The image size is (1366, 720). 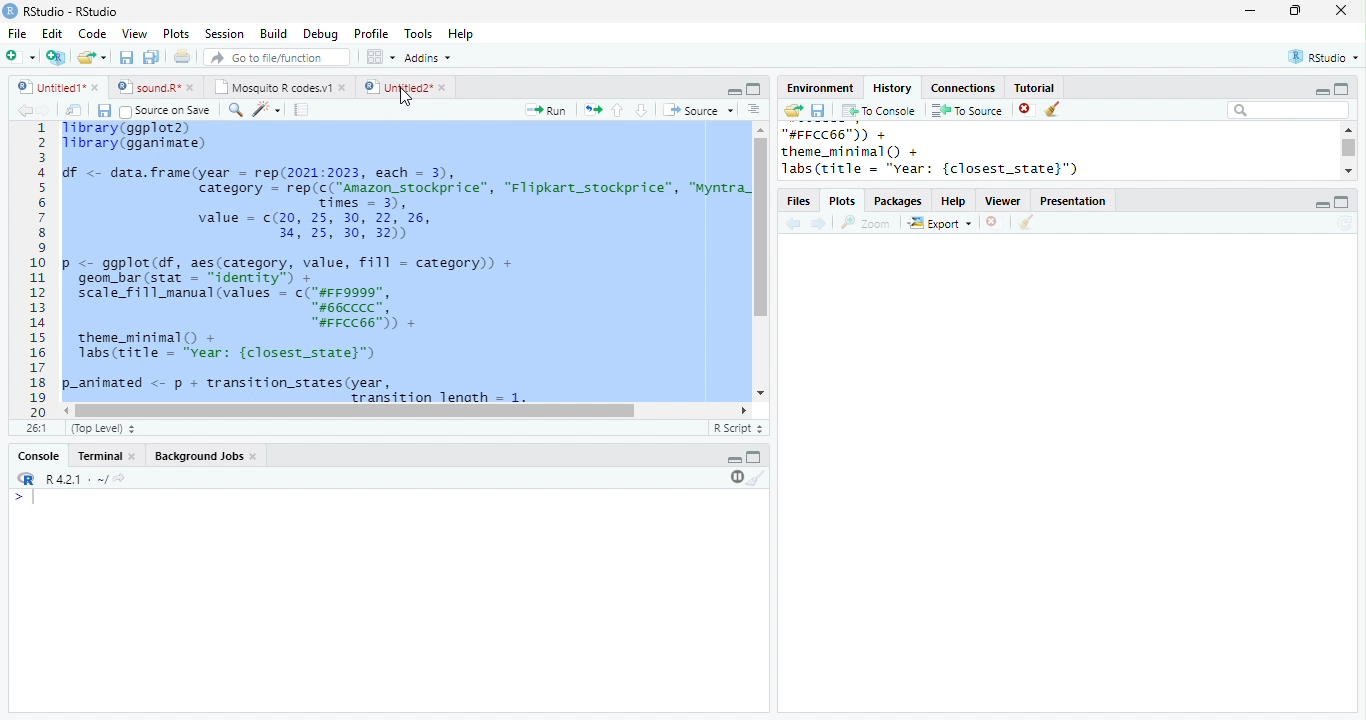 I want to click on df <- data.frame(year = rep(2021:2023, each = 3),
category = rep(c("Amazon_stockprice”, "Flipkart_stockprice”, “Myntra_
Times = 3)., so click(x=404, y=187).